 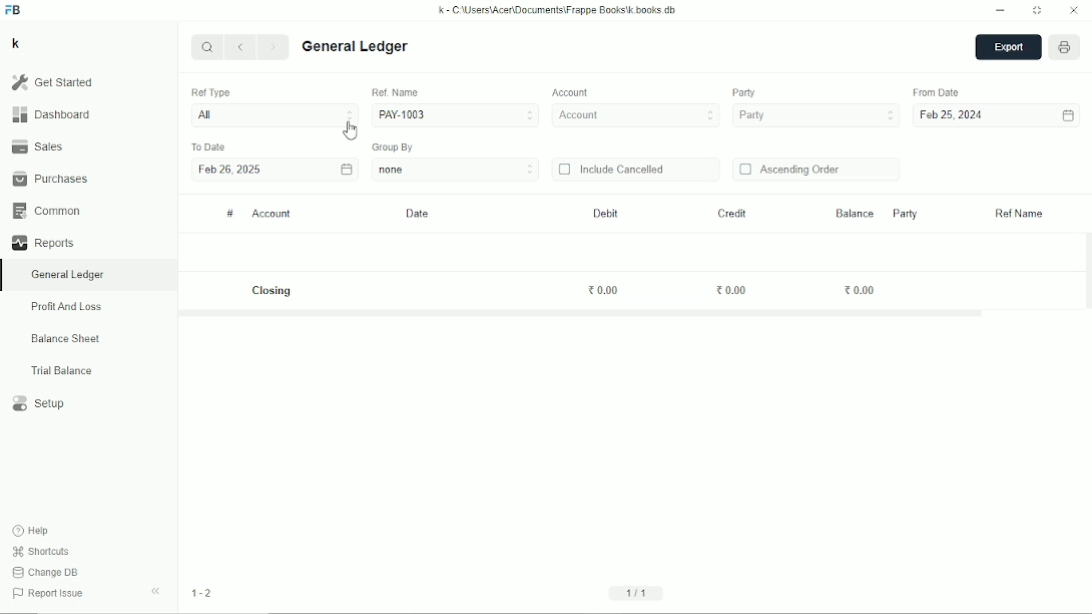 I want to click on Include cancelled, so click(x=611, y=169).